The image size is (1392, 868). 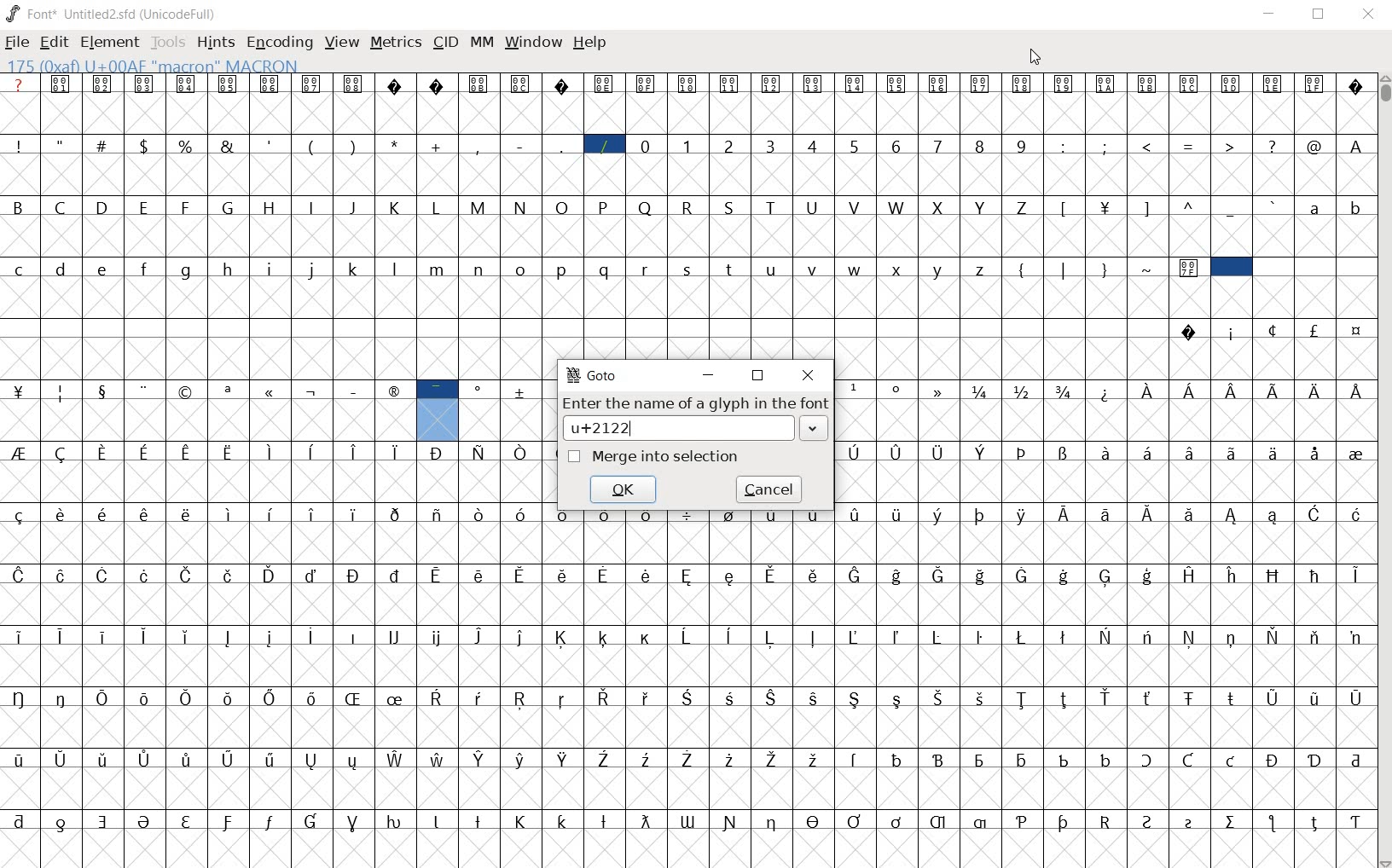 What do you see at coordinates (1331, 225) in the screenshot?
I see `alphabets` at bounding box center [1331, 225].